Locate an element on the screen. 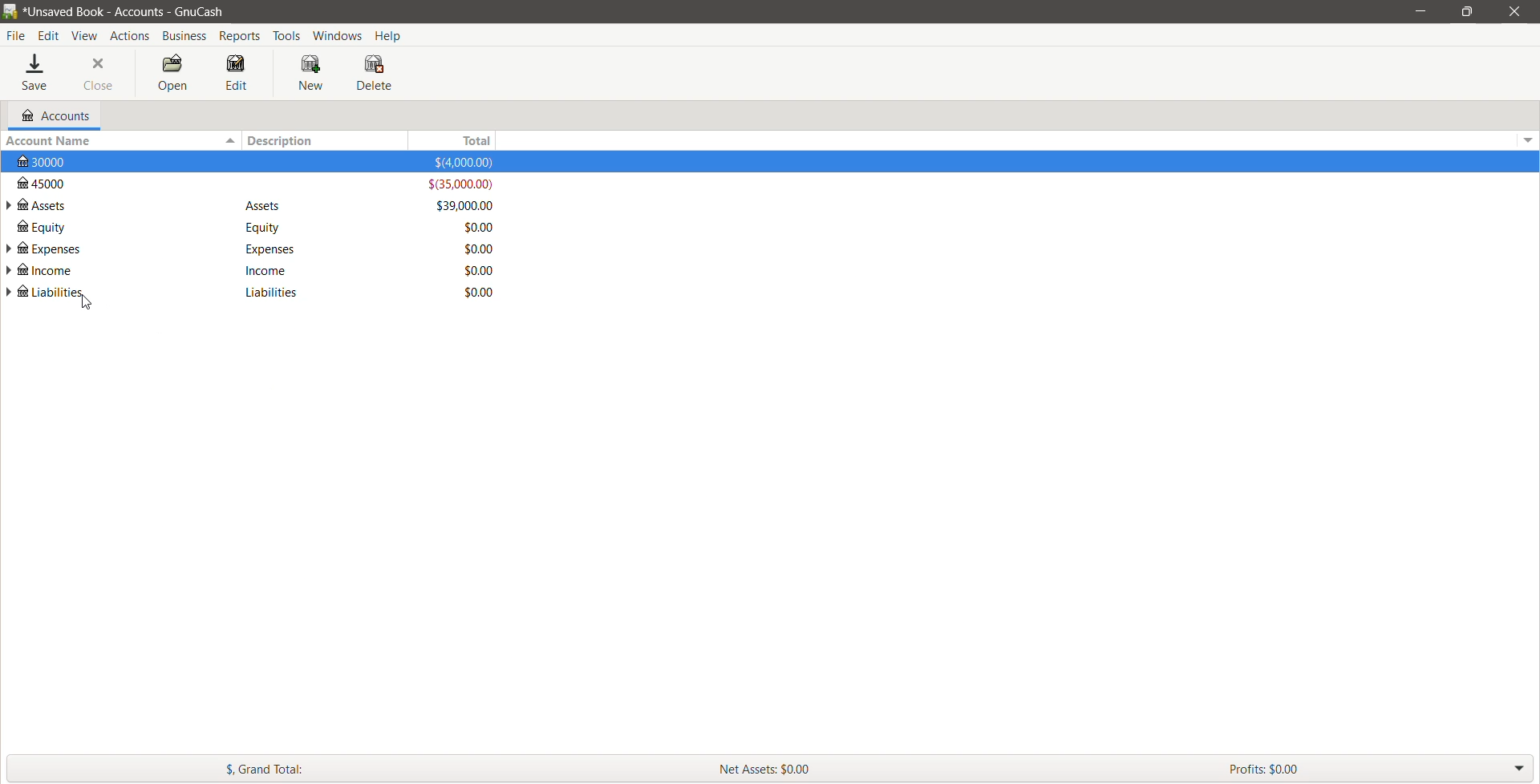  Accounts is located at coordinates (54, 115).